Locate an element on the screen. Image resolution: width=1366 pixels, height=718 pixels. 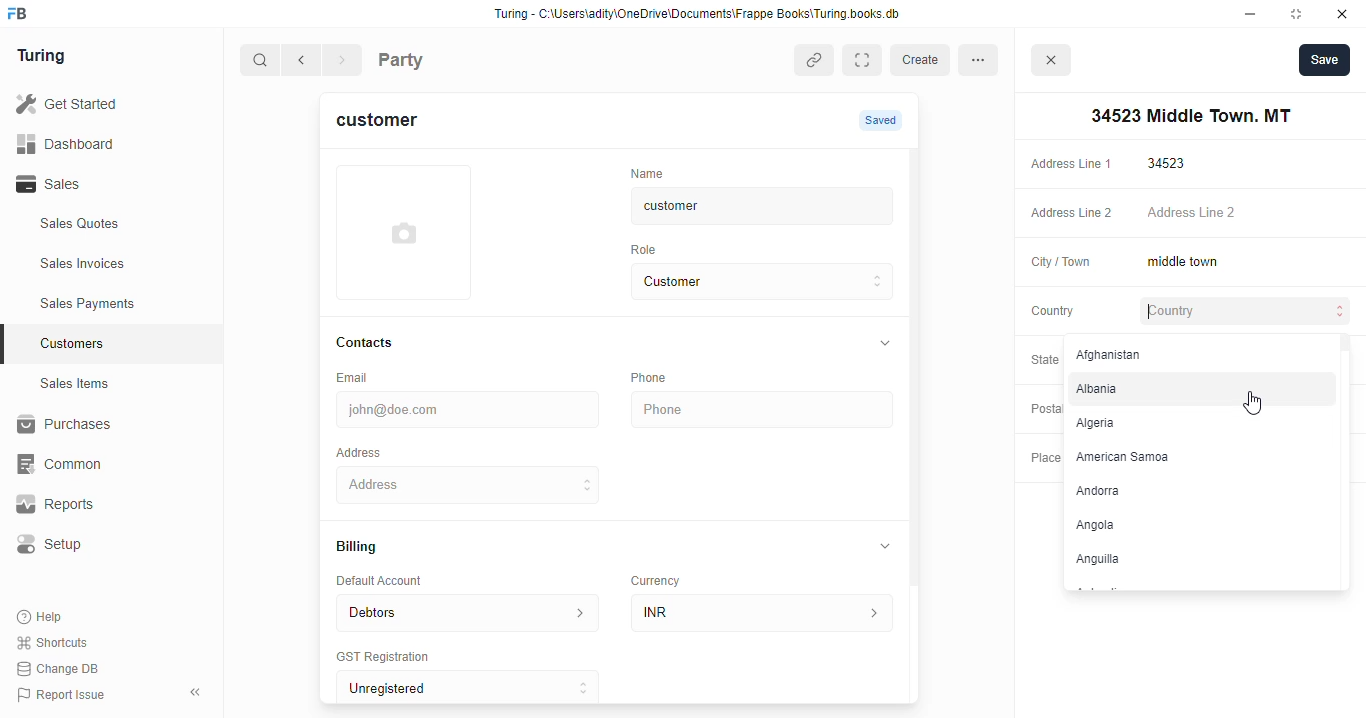
Shortcuts is located at coordinates (58, 643).